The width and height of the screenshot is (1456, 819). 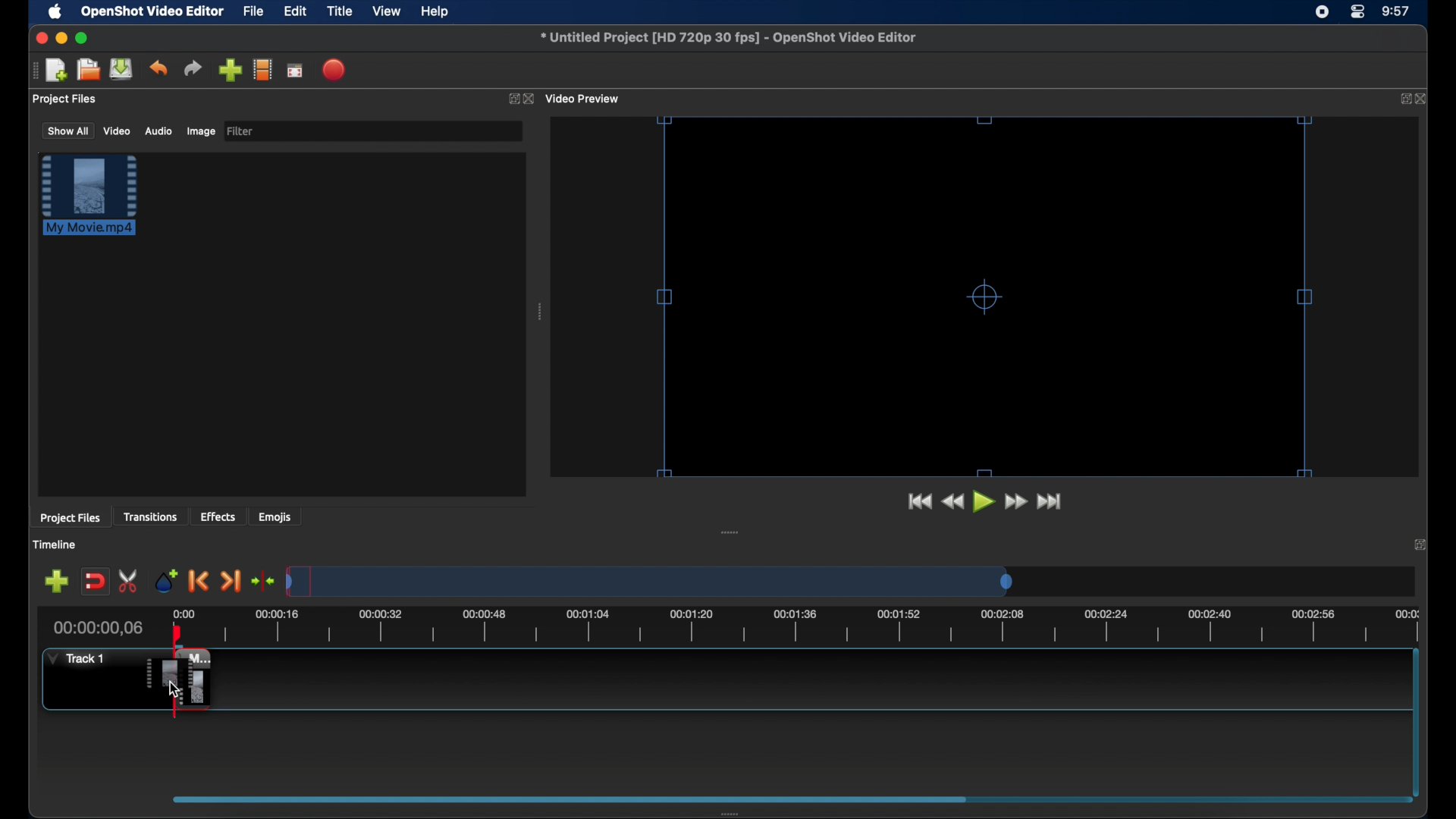 What do you see at coordinates (193, 68) in the screenshot?
I see `redo` at bounding box center [193, 68].